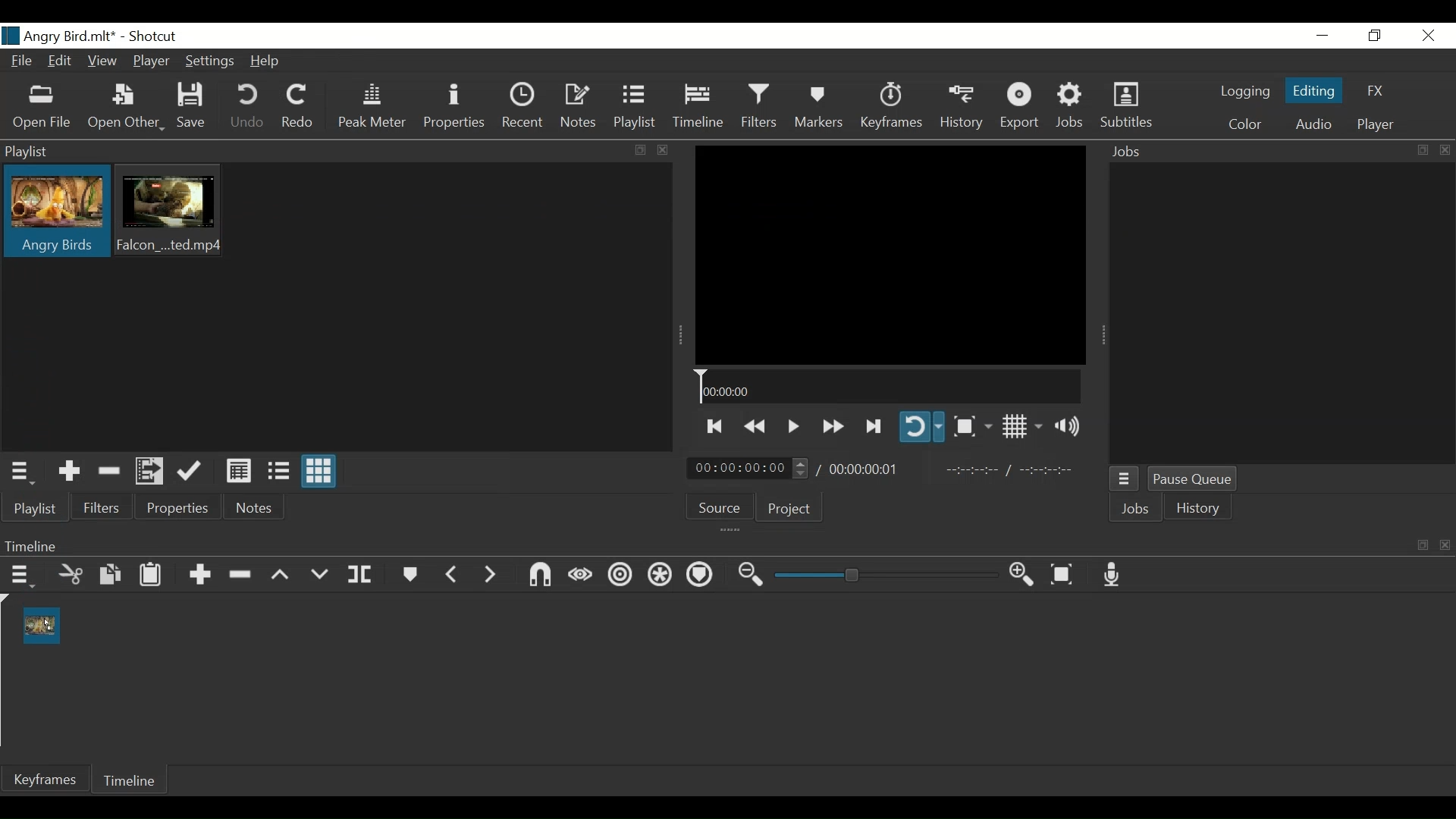  Describe the element at coordinates (212, 61) in the screenshot. I see `Settings` at that location.